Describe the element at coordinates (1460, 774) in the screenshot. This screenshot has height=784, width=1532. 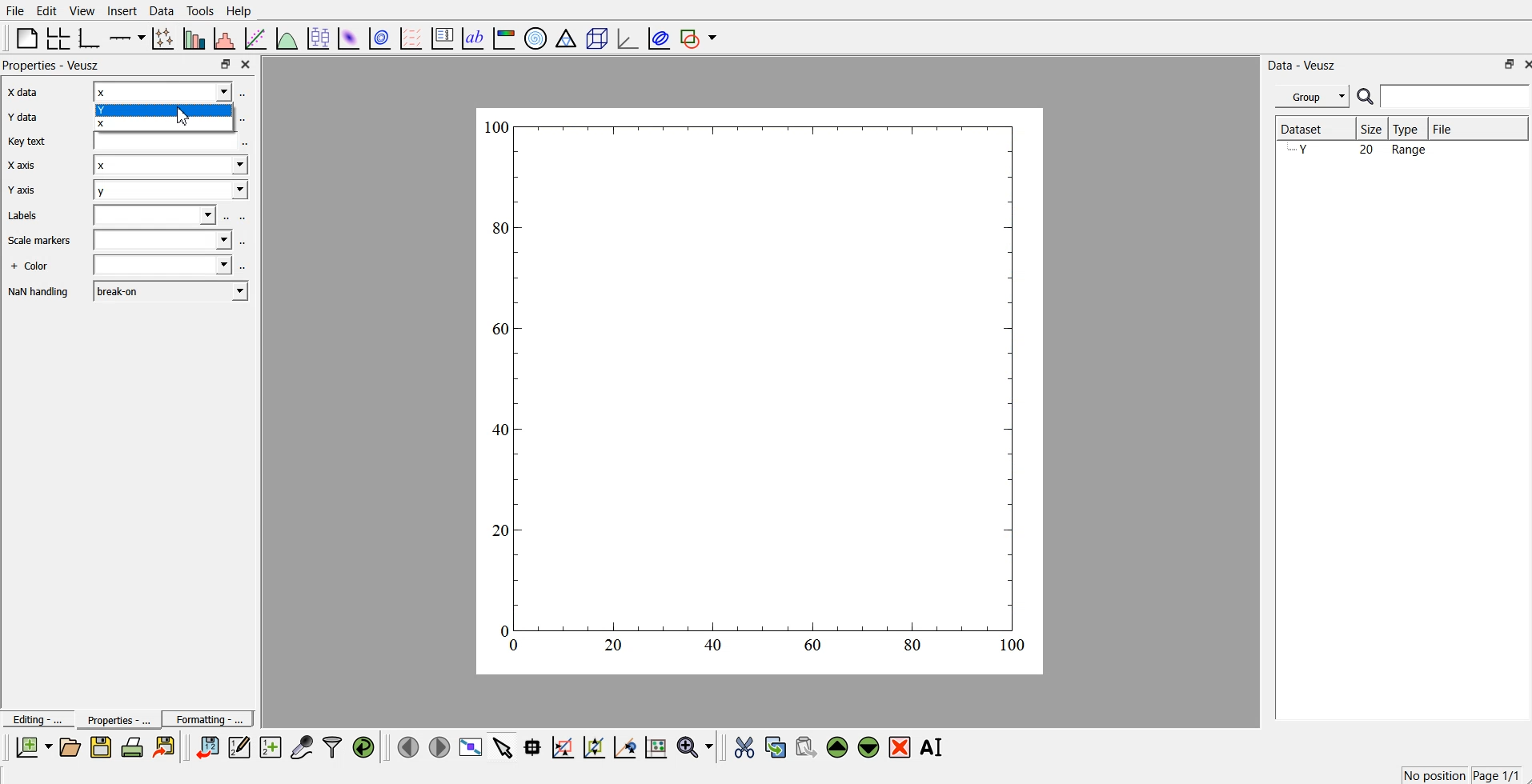
I see `No position page 1/1` at that location.